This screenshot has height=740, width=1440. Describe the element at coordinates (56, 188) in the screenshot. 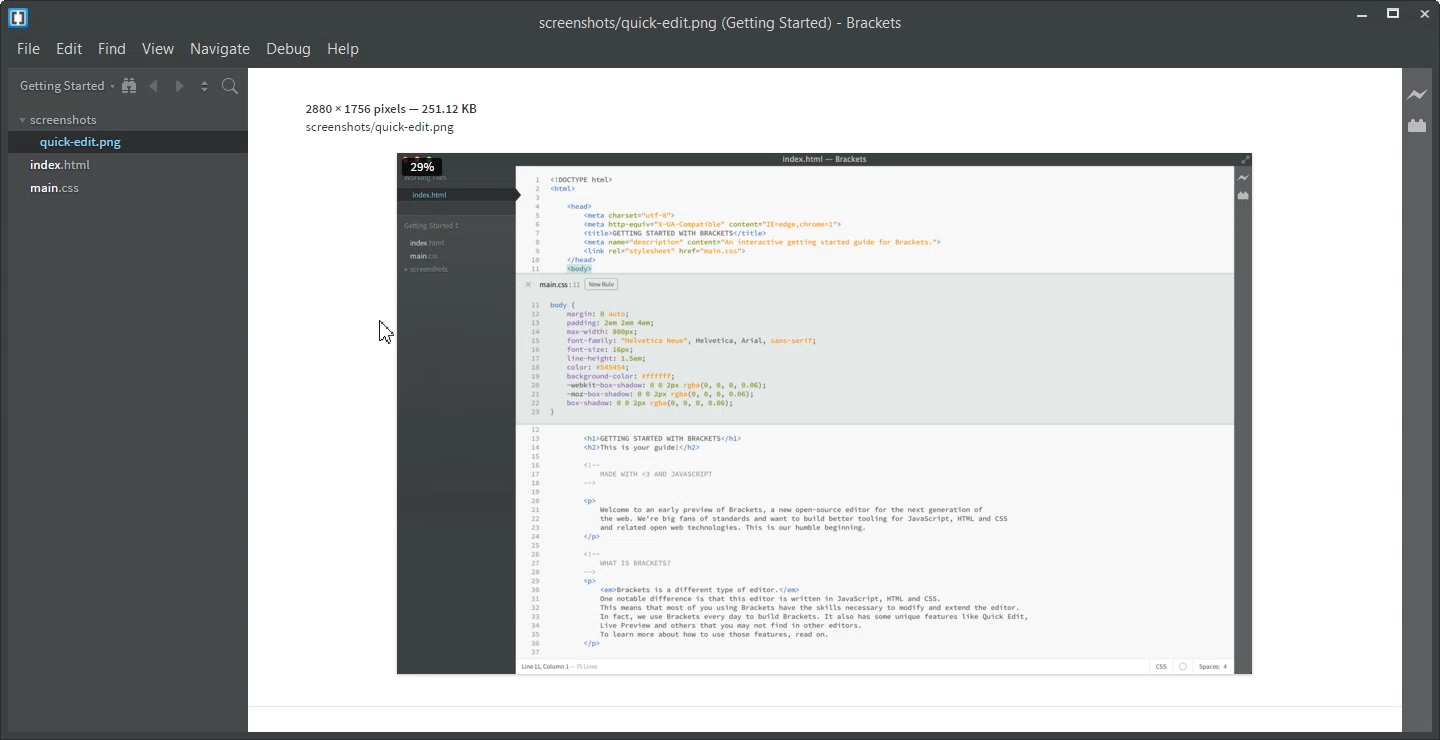

I see `main.css` at that location.